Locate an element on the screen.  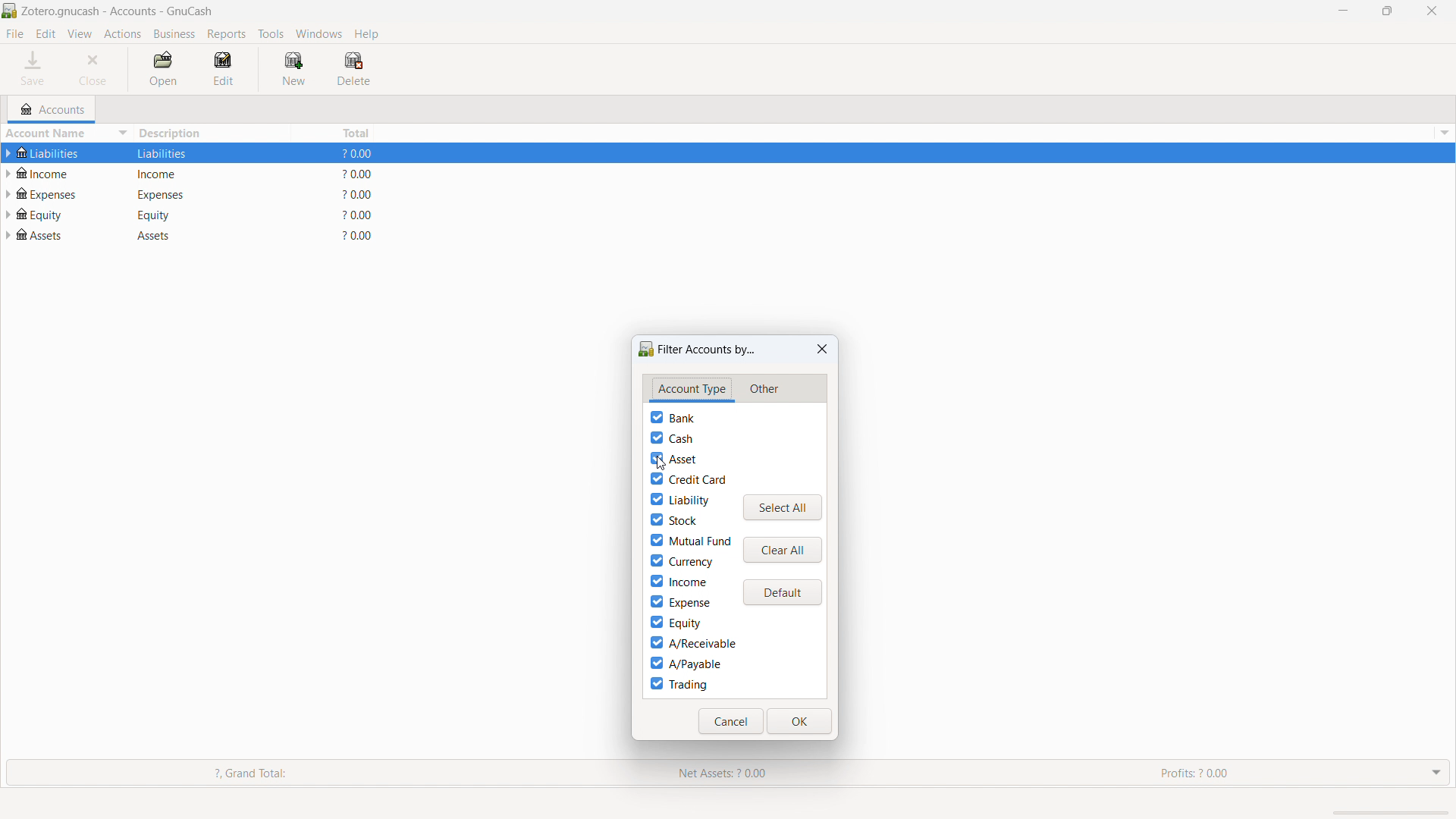
windows is located at coordinates (319, 33).